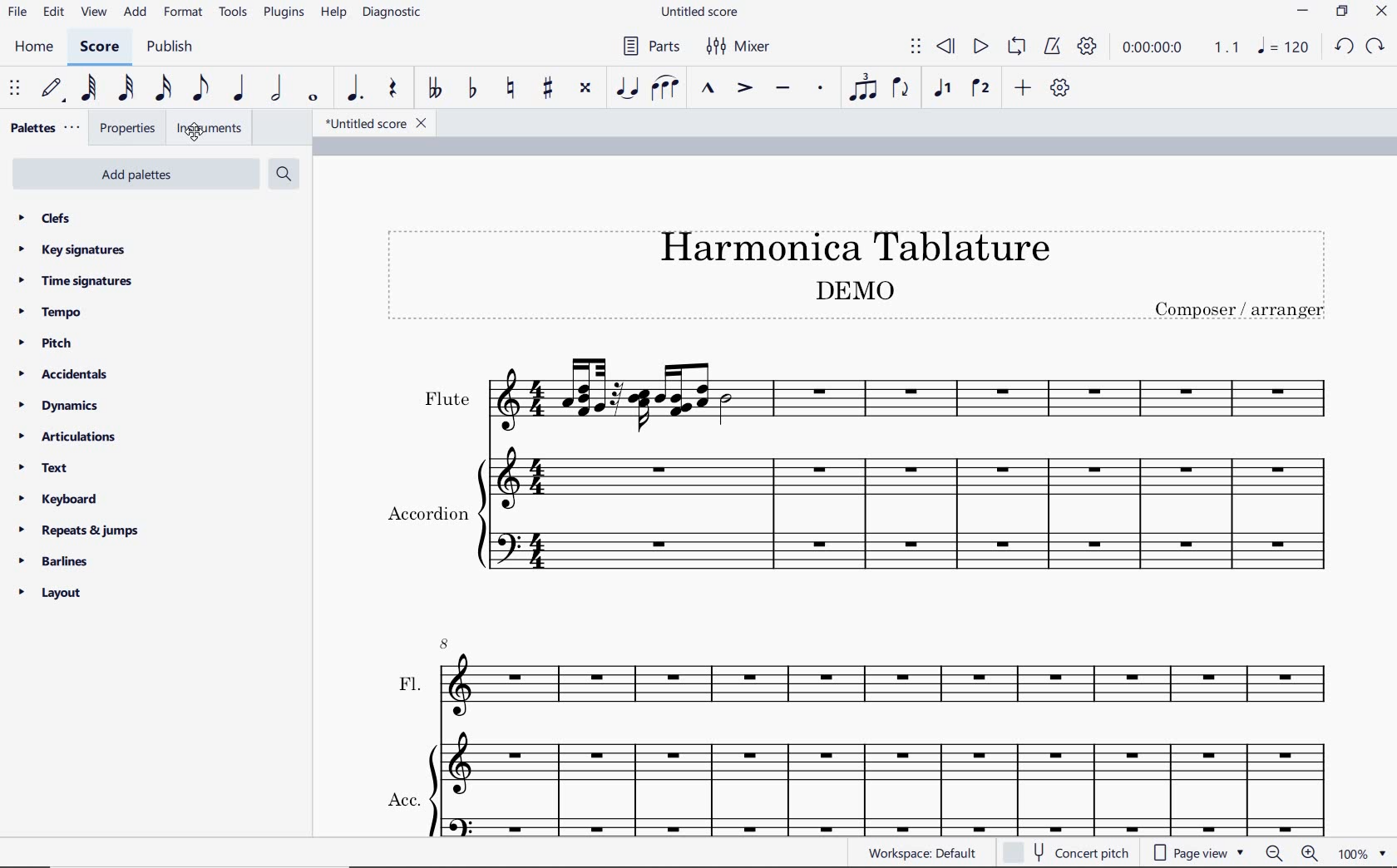  What do you see at coordinates (1376, 47) in the screenshot?
I see `REDO` at bounding box center [1376, 47].